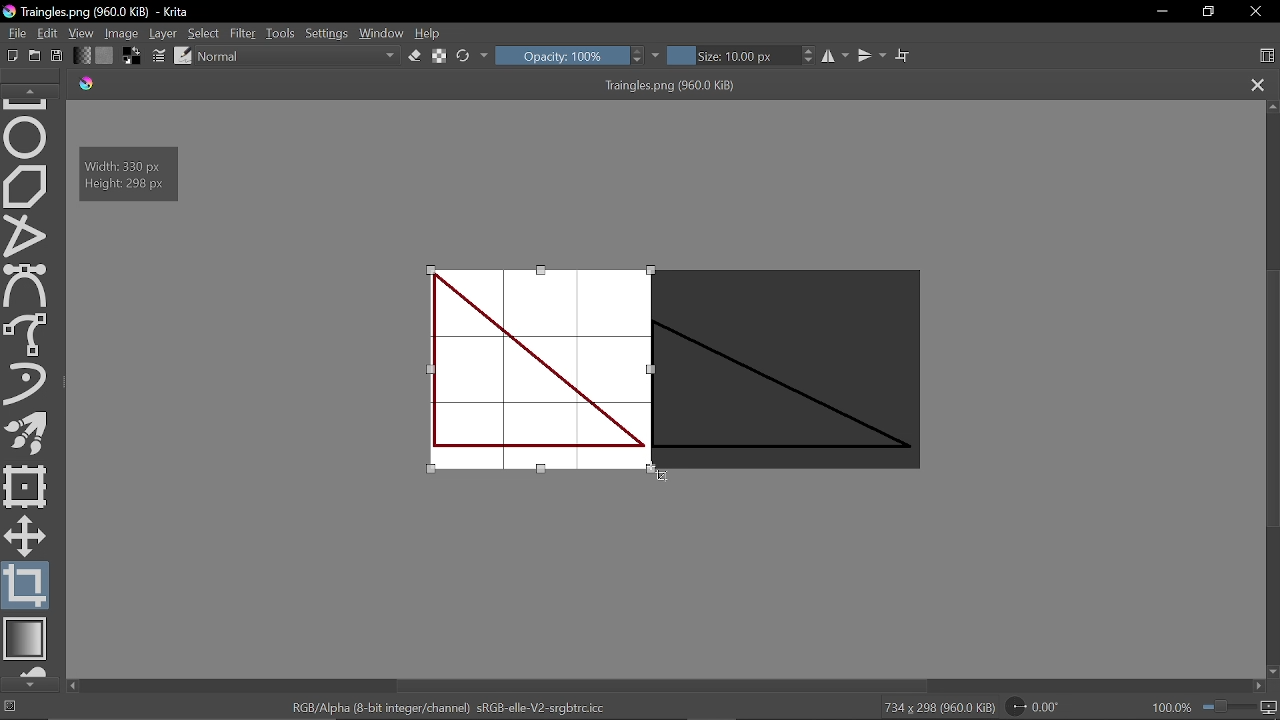 The height and width of the screenshot is (720, 1280). I want to click on Image, so click(123, 32).